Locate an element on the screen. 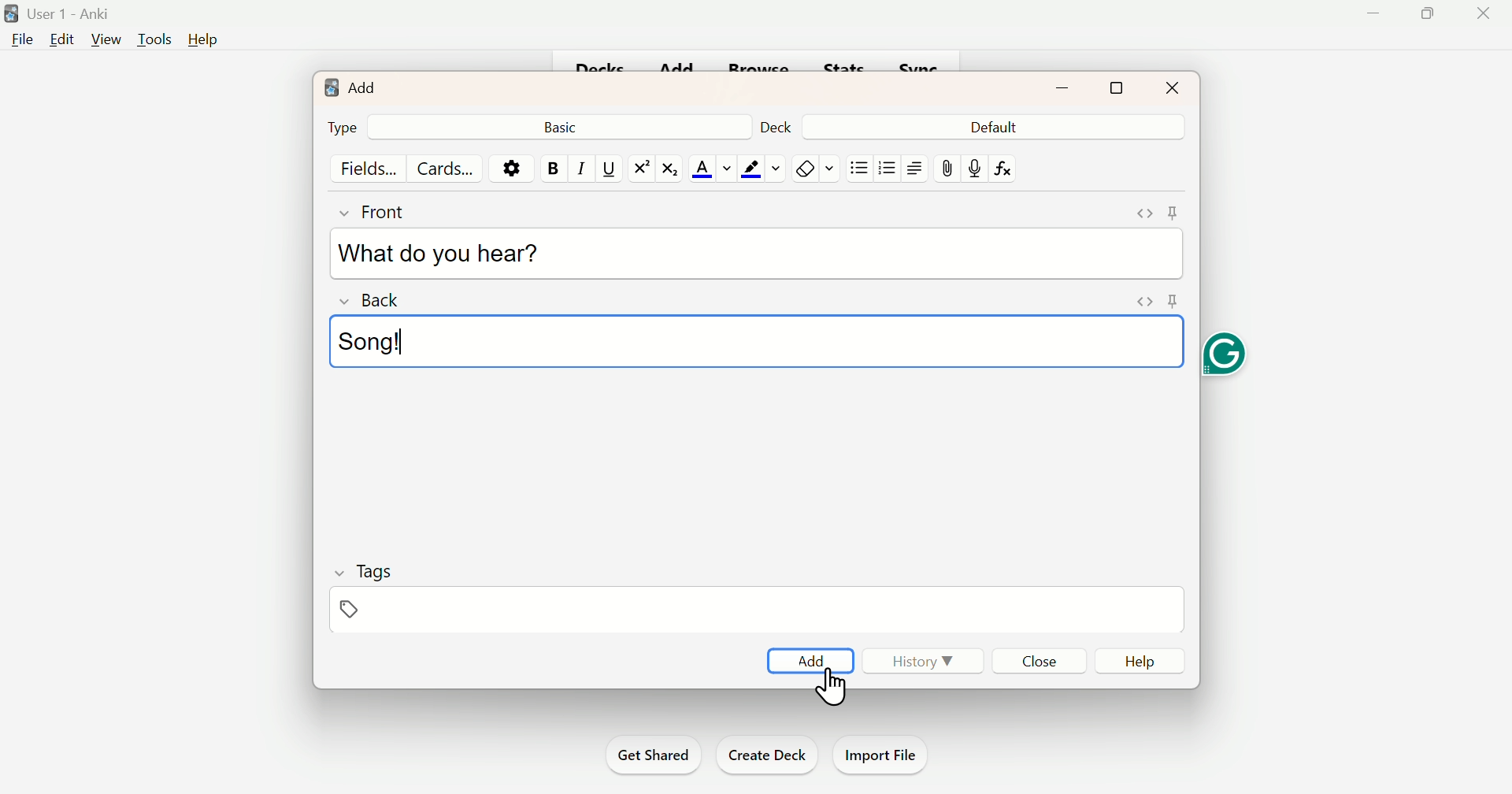 This screenshot has width=1512, height=794. Italiac is located at coordinates (580, 167).